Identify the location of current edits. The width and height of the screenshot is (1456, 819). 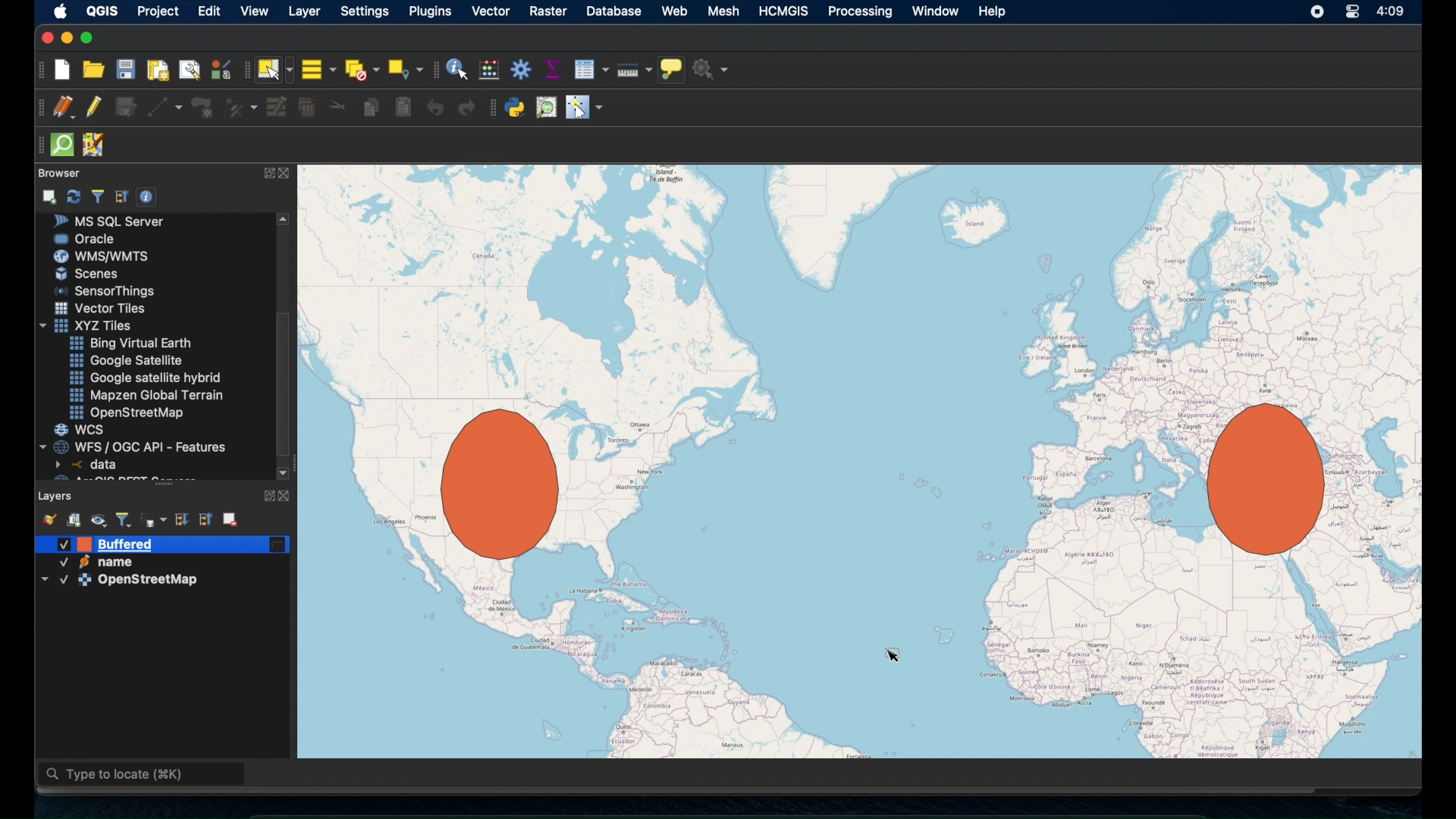
(62, 107).